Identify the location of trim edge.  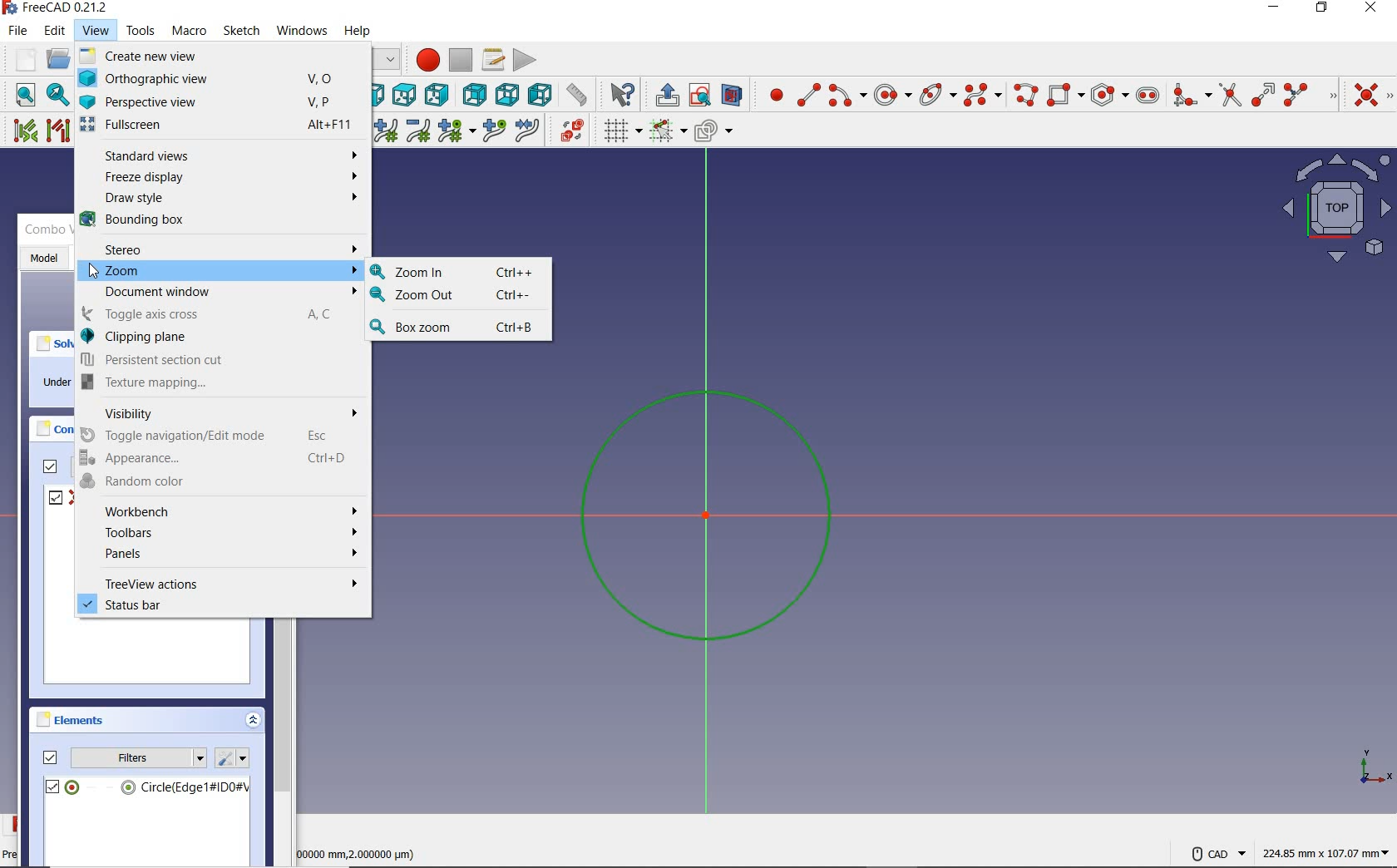
(1228, 95).